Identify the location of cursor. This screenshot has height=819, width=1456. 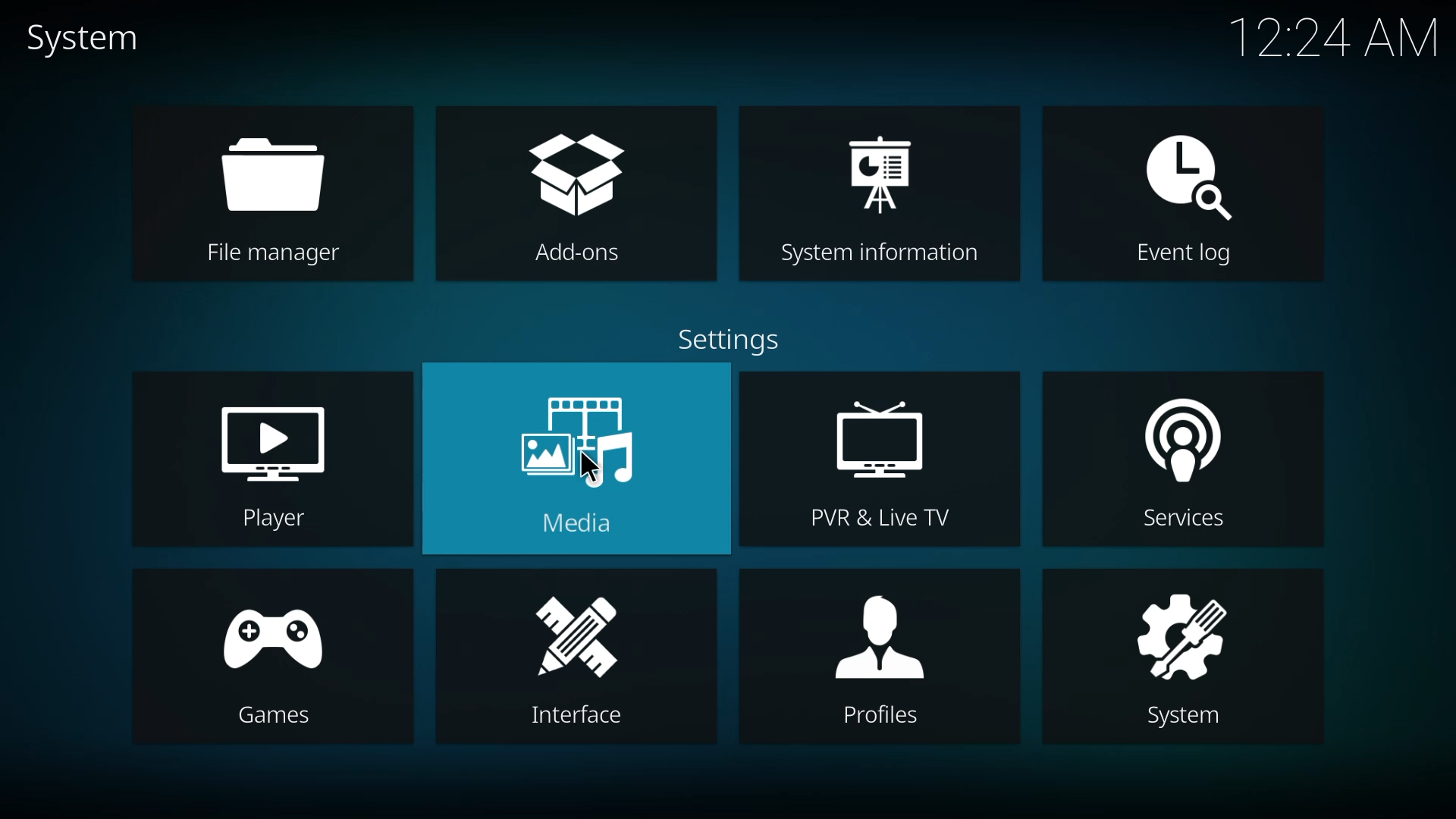
(588, 468).